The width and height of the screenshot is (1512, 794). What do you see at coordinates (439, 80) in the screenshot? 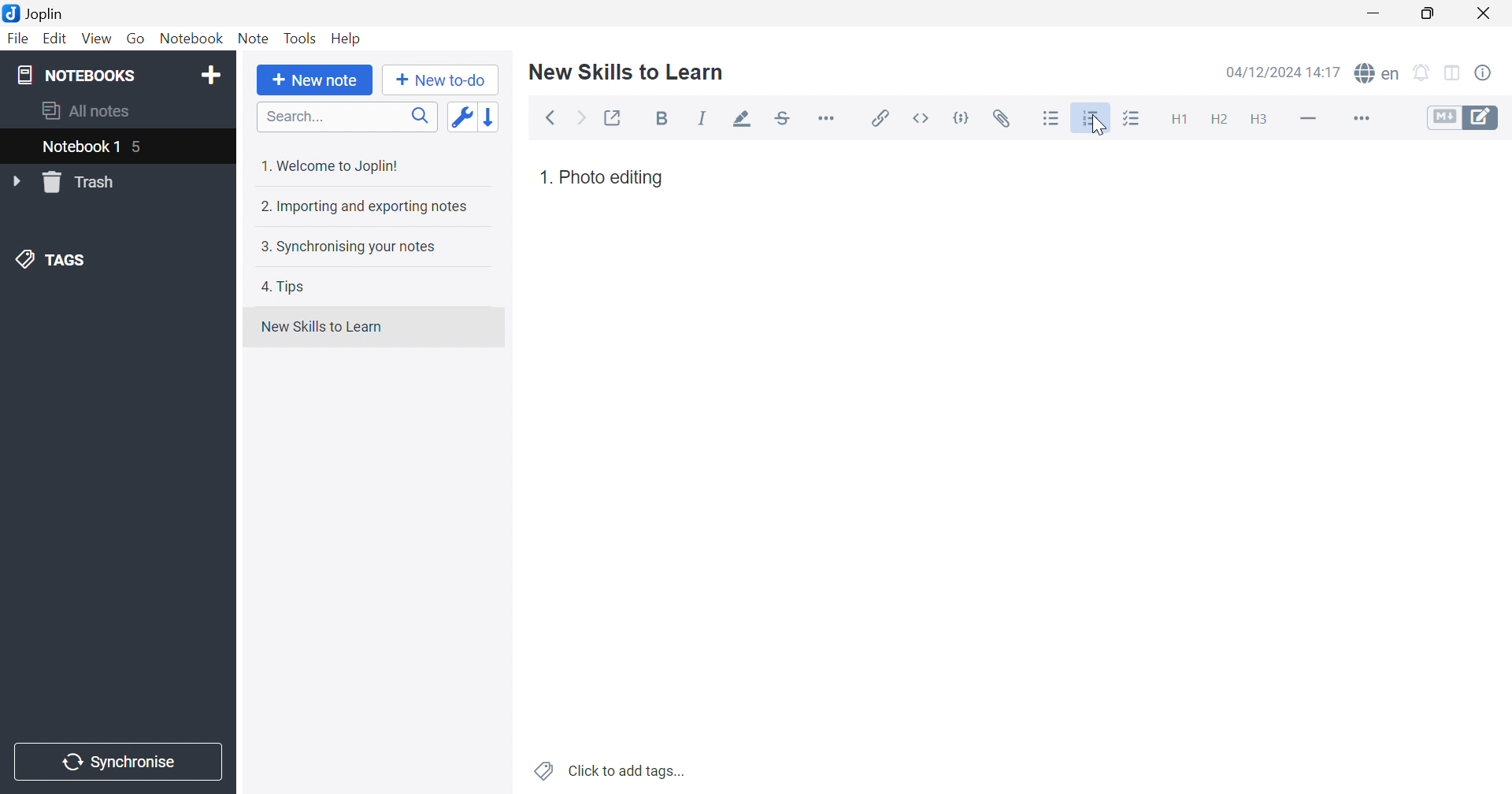
I see `New to-do` at bounding box center [439, 80].